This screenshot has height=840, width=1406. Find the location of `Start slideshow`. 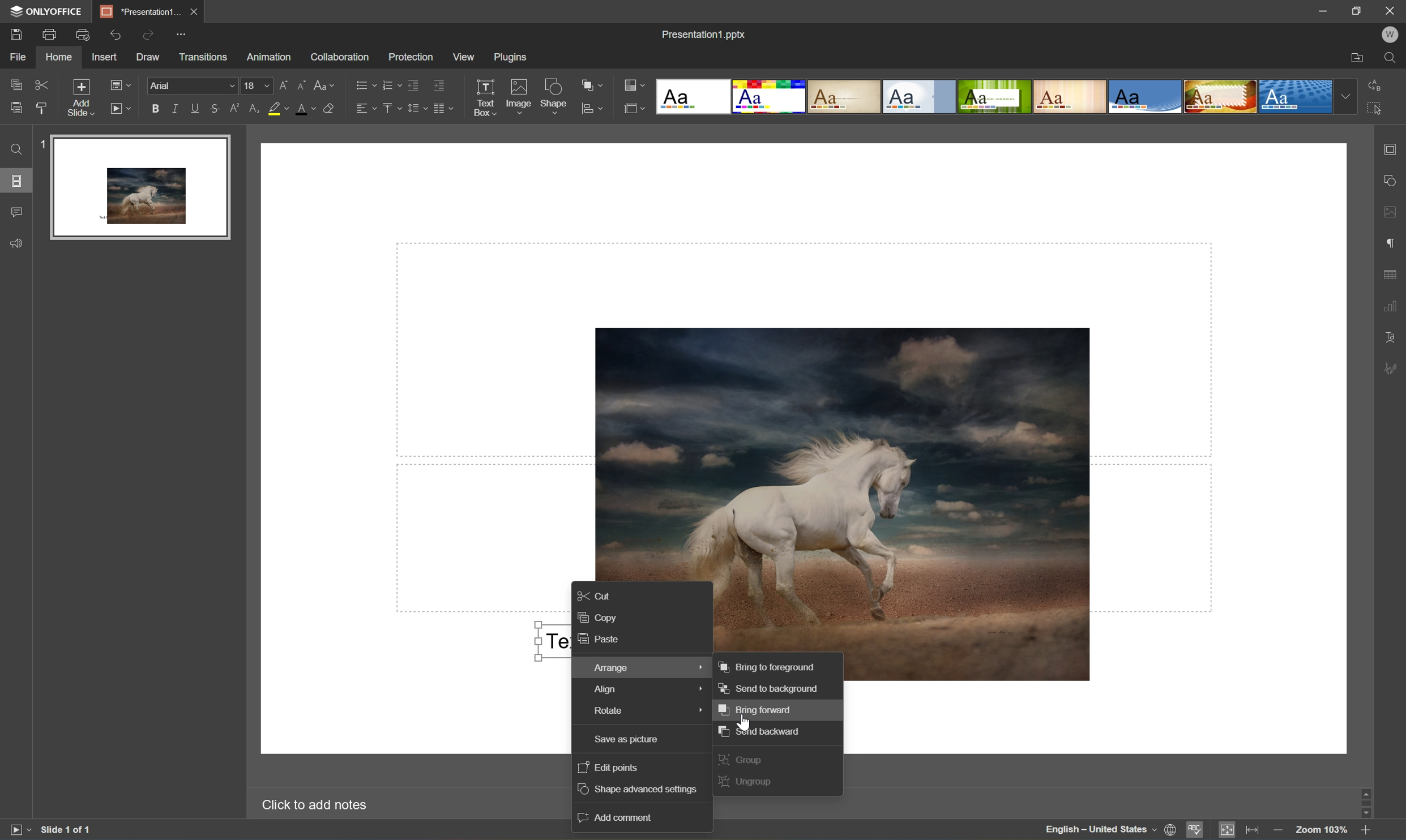

Start slideshow is located at coordinates (16, 832).